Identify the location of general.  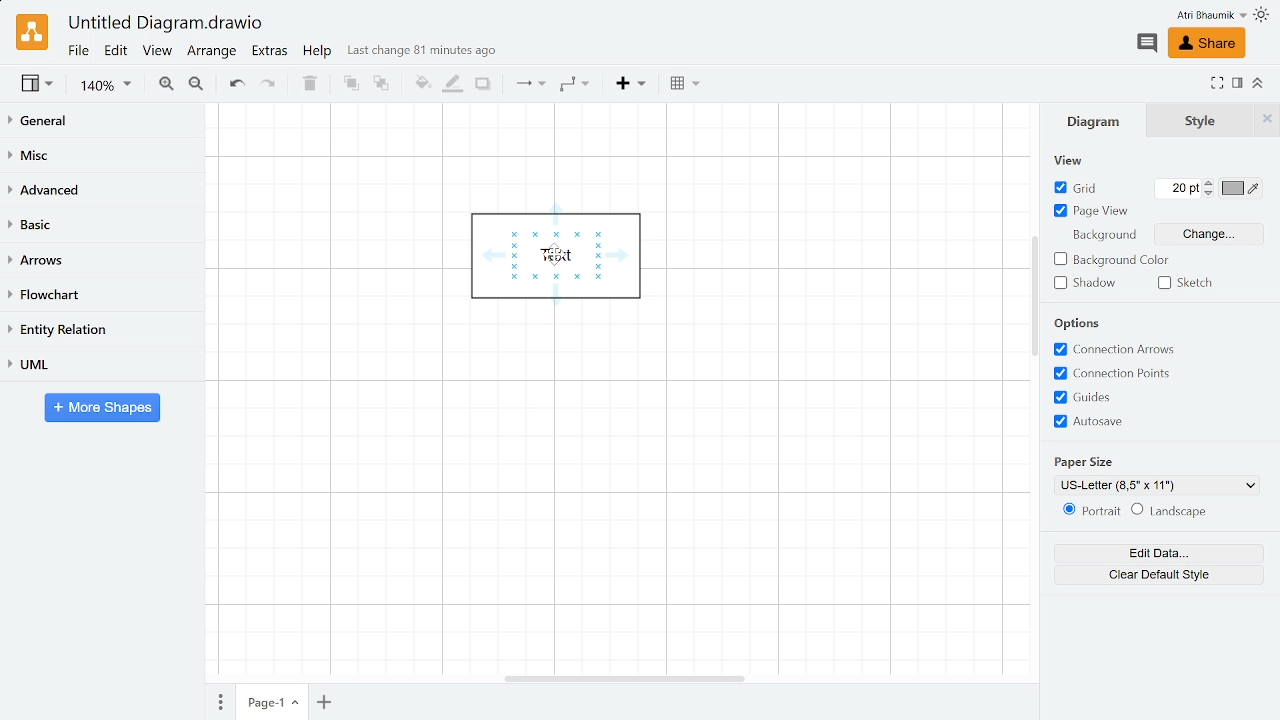
(104, 122).